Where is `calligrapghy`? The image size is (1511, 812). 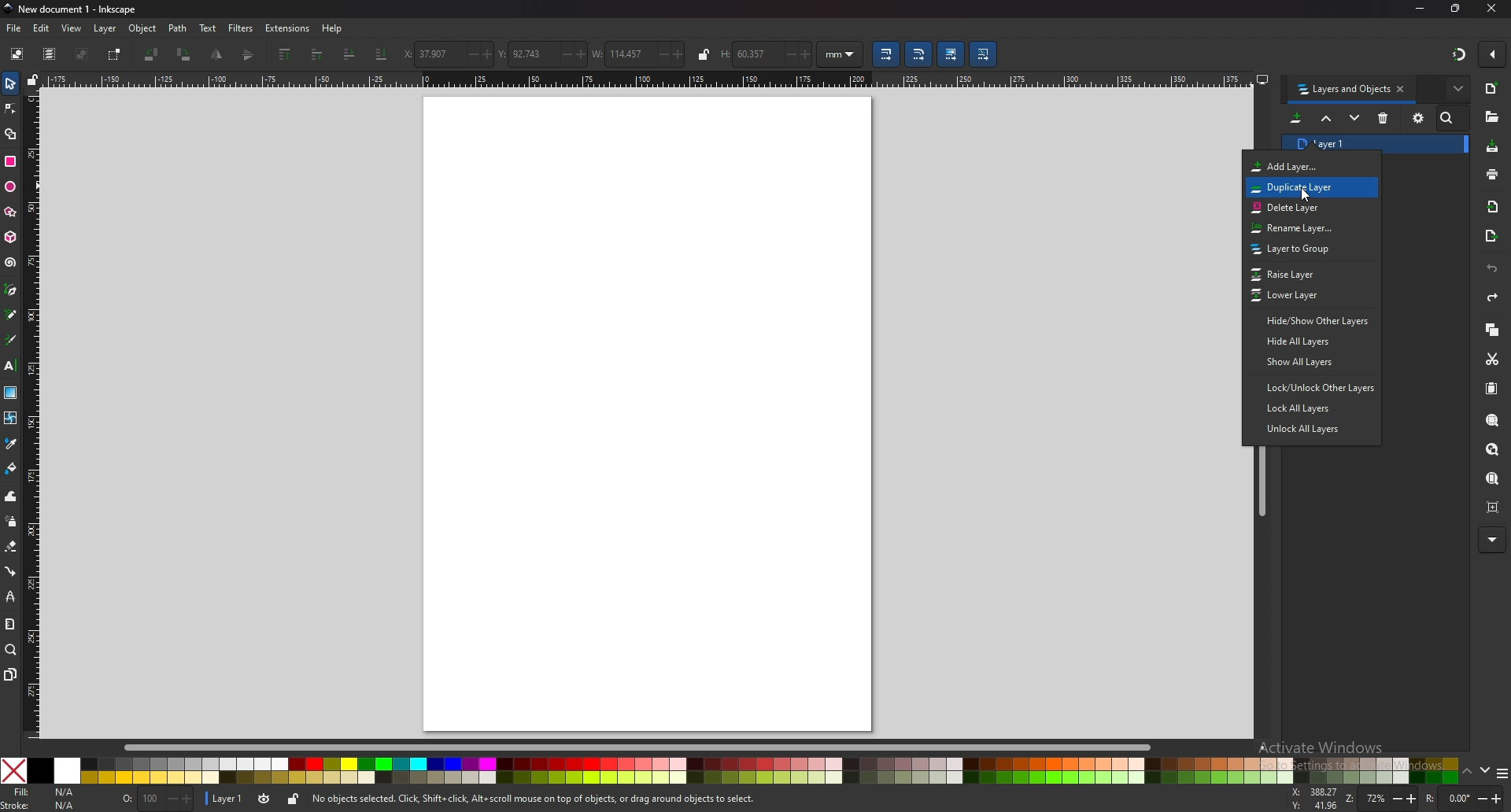 calligrapghy is located at coordinates (10, 340).